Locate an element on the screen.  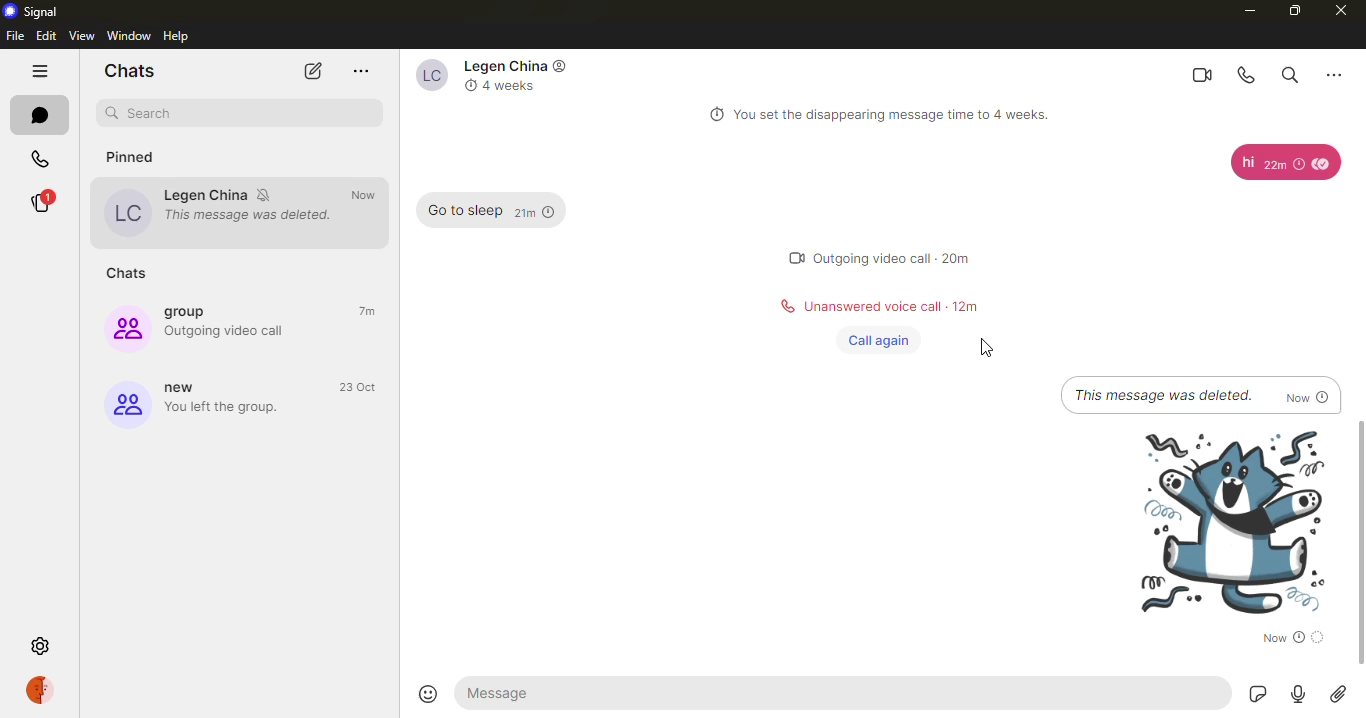
stories is located at coordinates (46, 202).